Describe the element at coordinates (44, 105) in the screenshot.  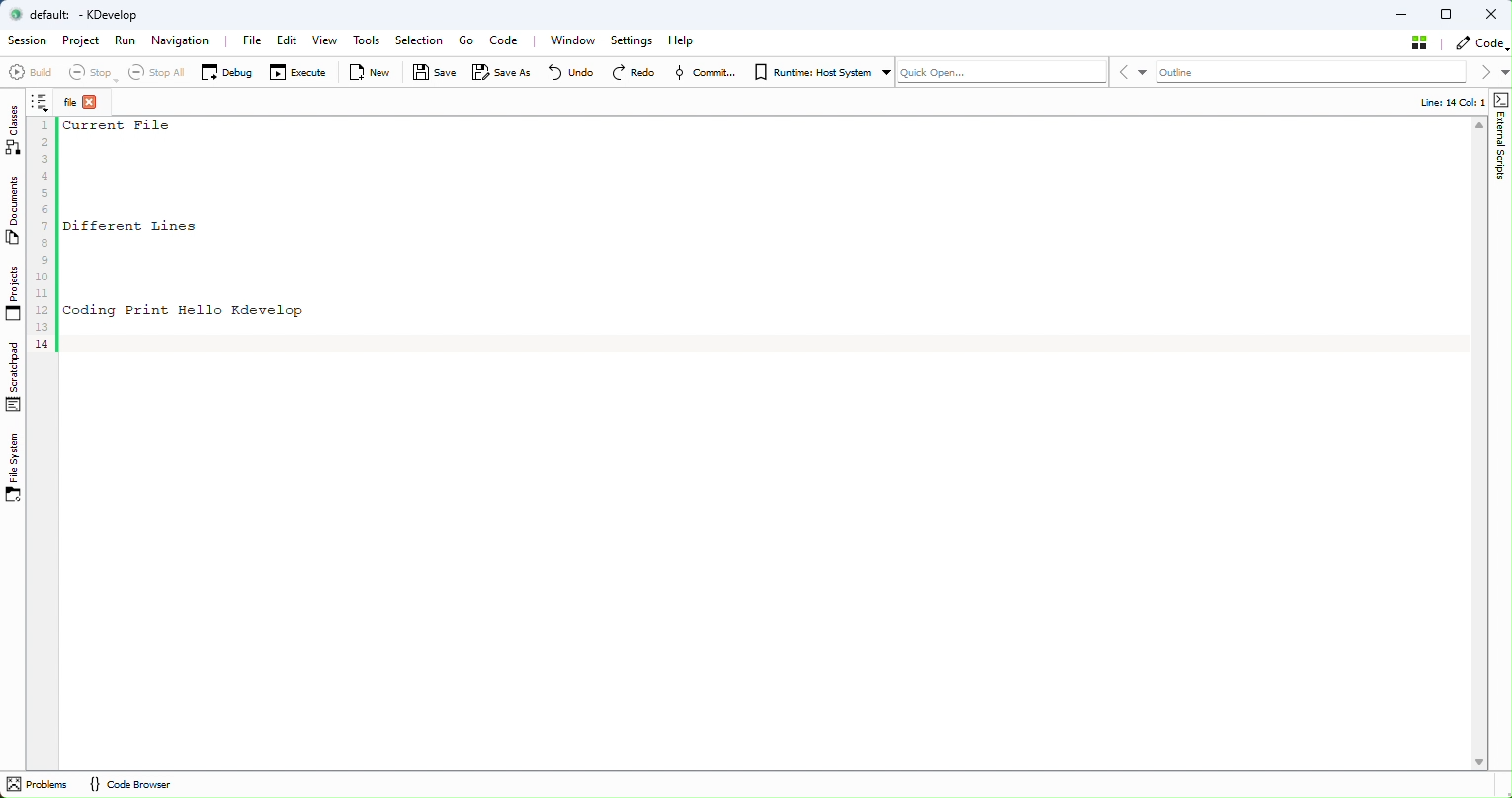
I see `note` at that location.